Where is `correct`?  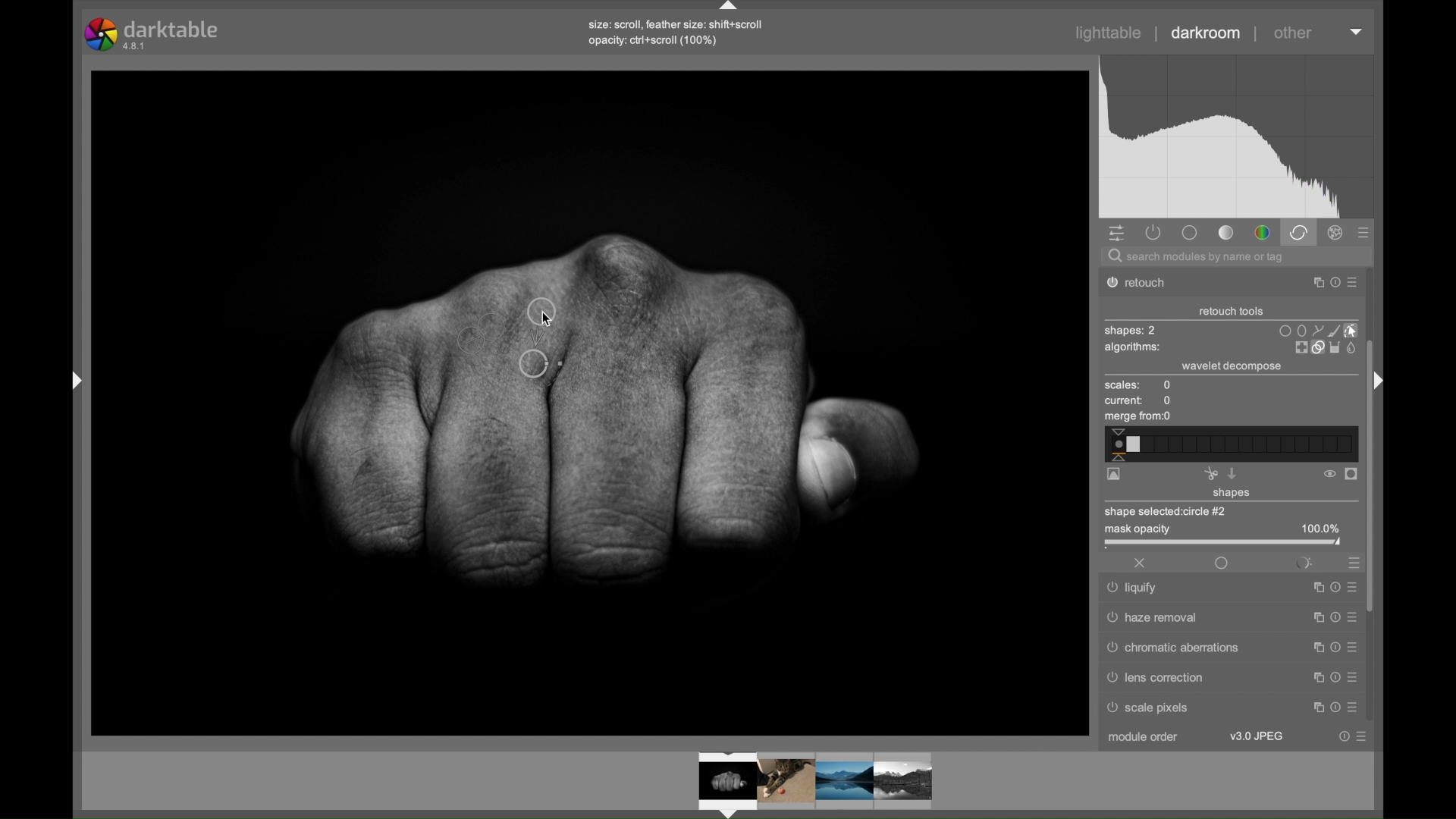 correct is located at coordinates (1298, 232).